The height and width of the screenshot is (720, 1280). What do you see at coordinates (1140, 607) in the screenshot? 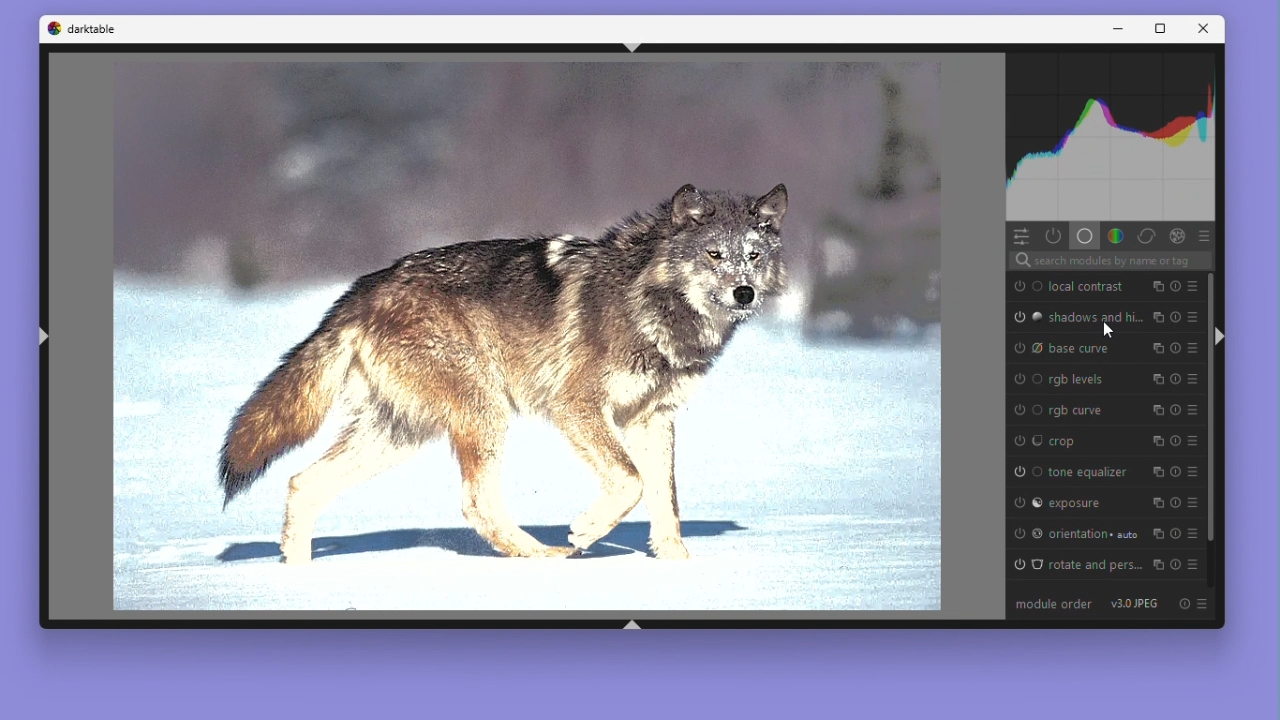
I see `V 3.0 JPEG` at bounding box center [1140, 607].